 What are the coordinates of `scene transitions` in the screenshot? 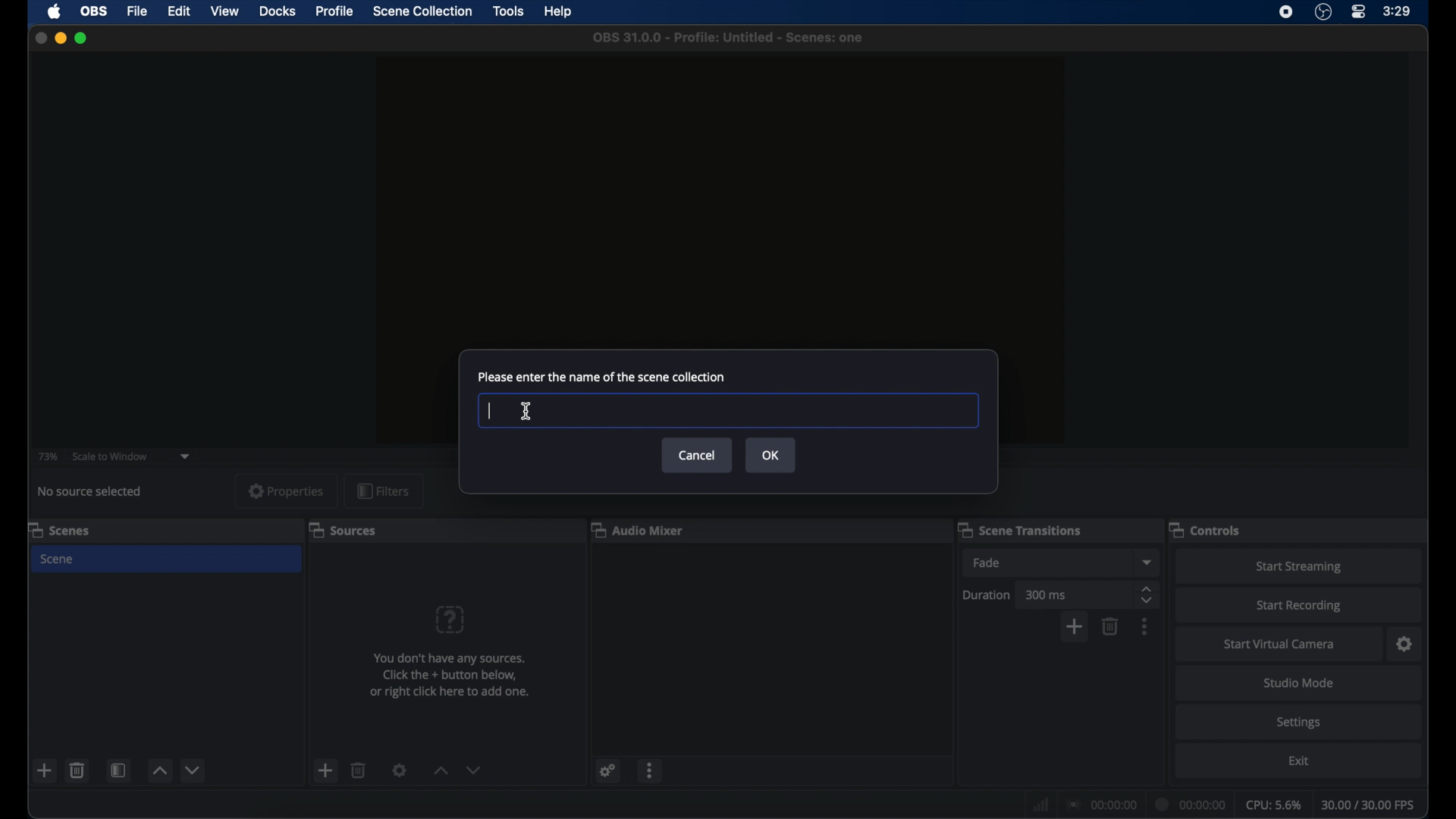 It's located at (1019, 530).